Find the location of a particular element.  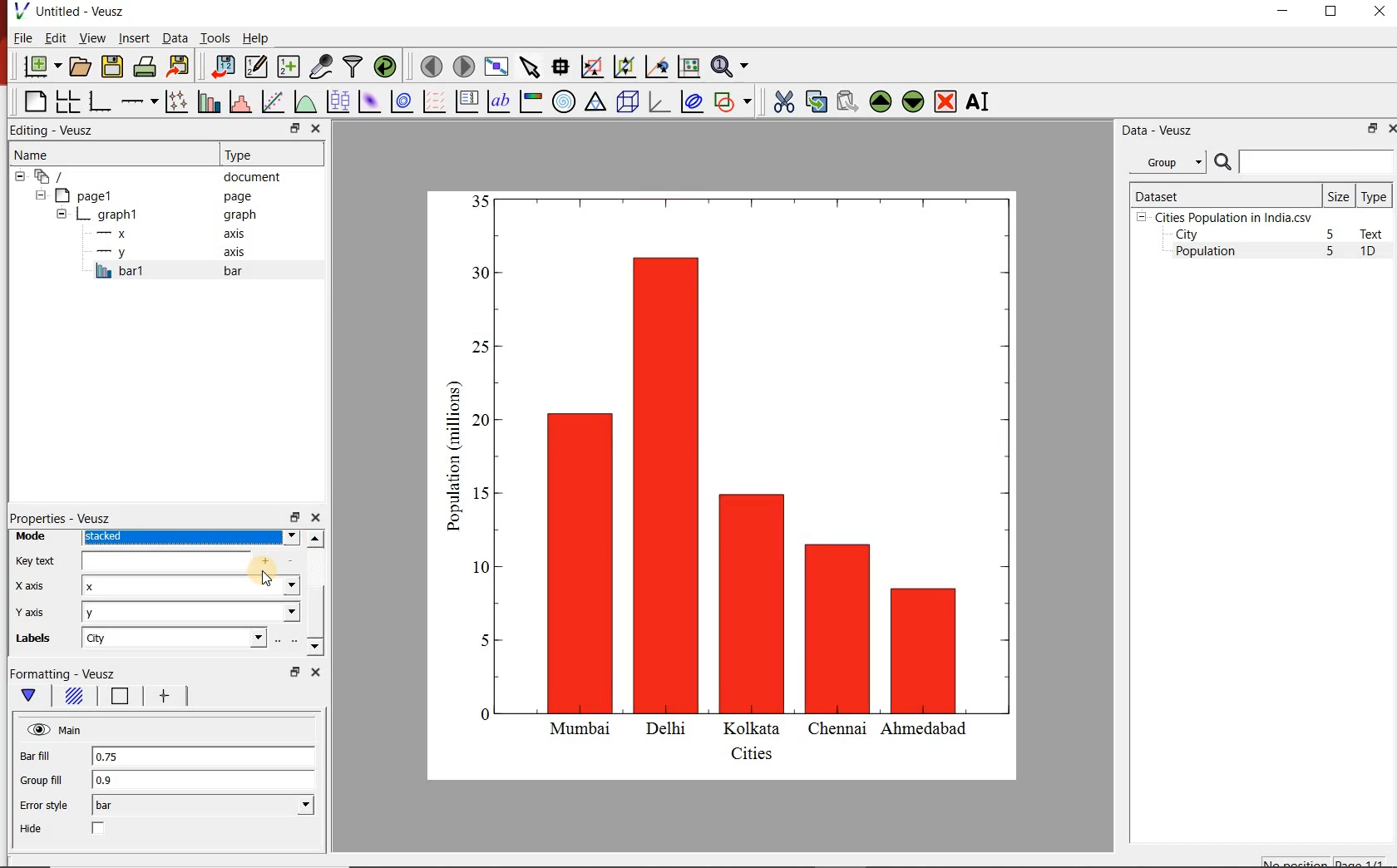

Fill is located at coordinates (73, 698).